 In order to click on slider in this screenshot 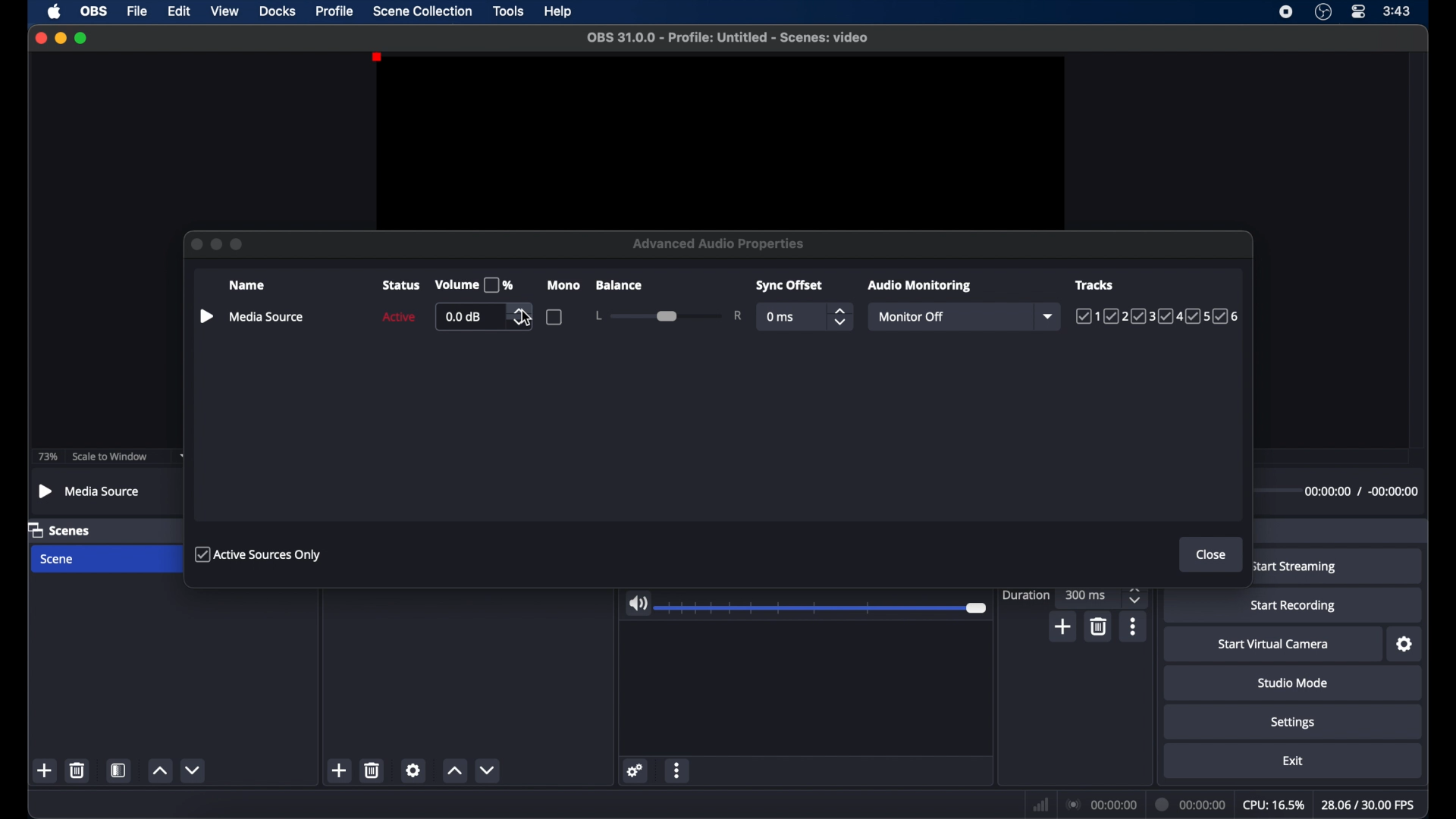, I will do `click(824, 608)`.